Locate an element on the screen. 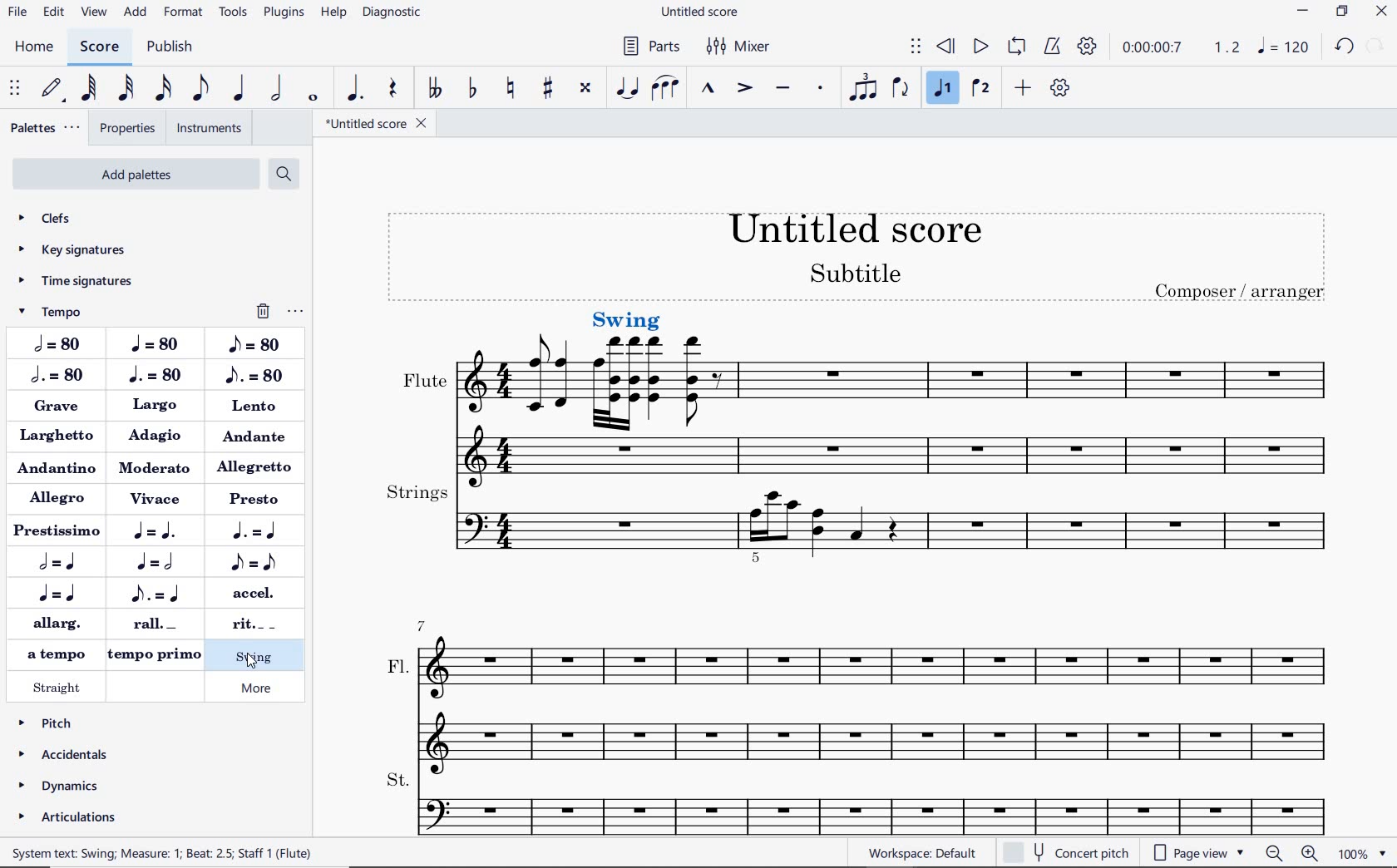  A TEMPO is located at coordinates (52, 652).